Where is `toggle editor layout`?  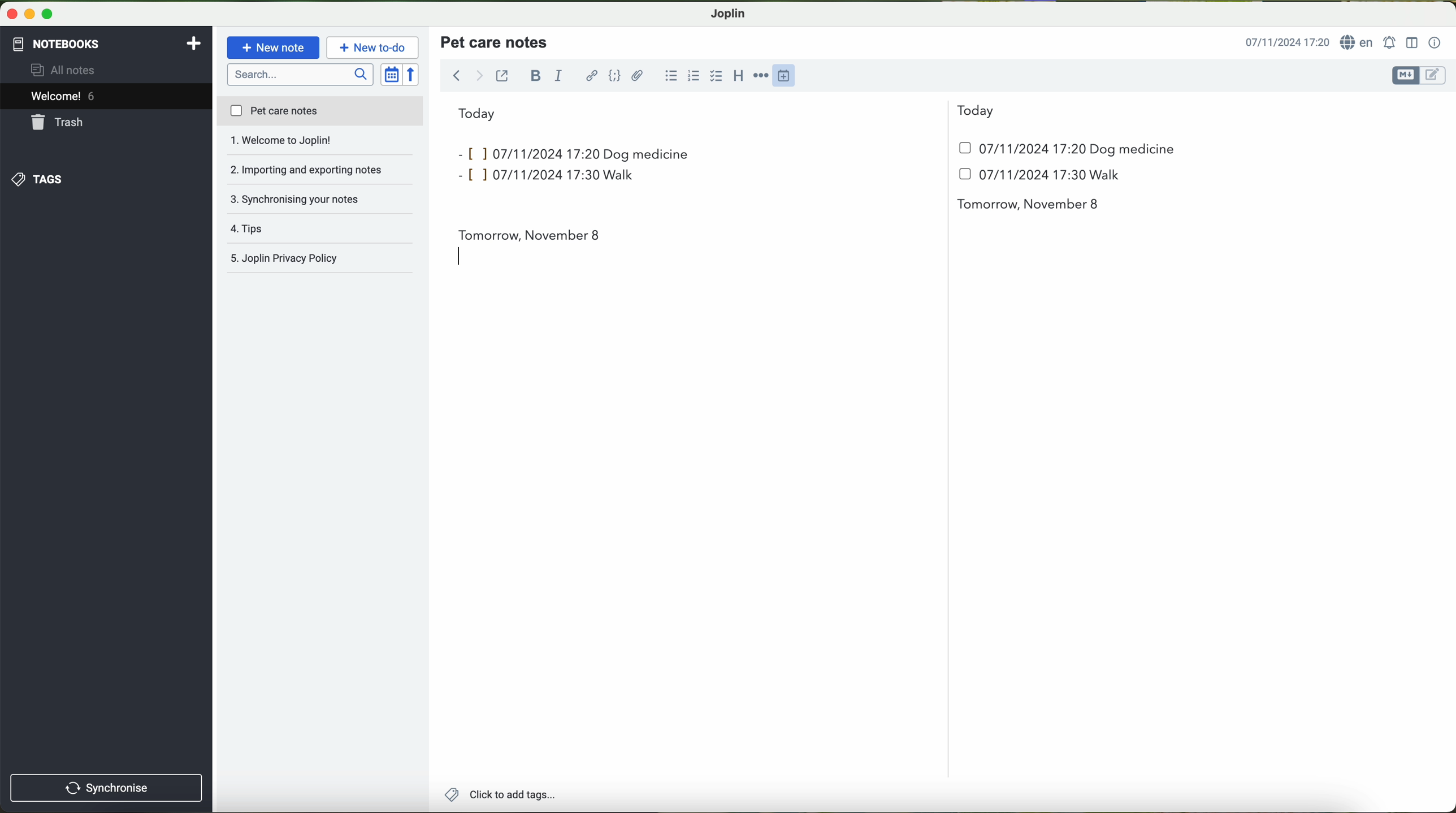
toggle editor layout is located at coordinates (1412, 42).